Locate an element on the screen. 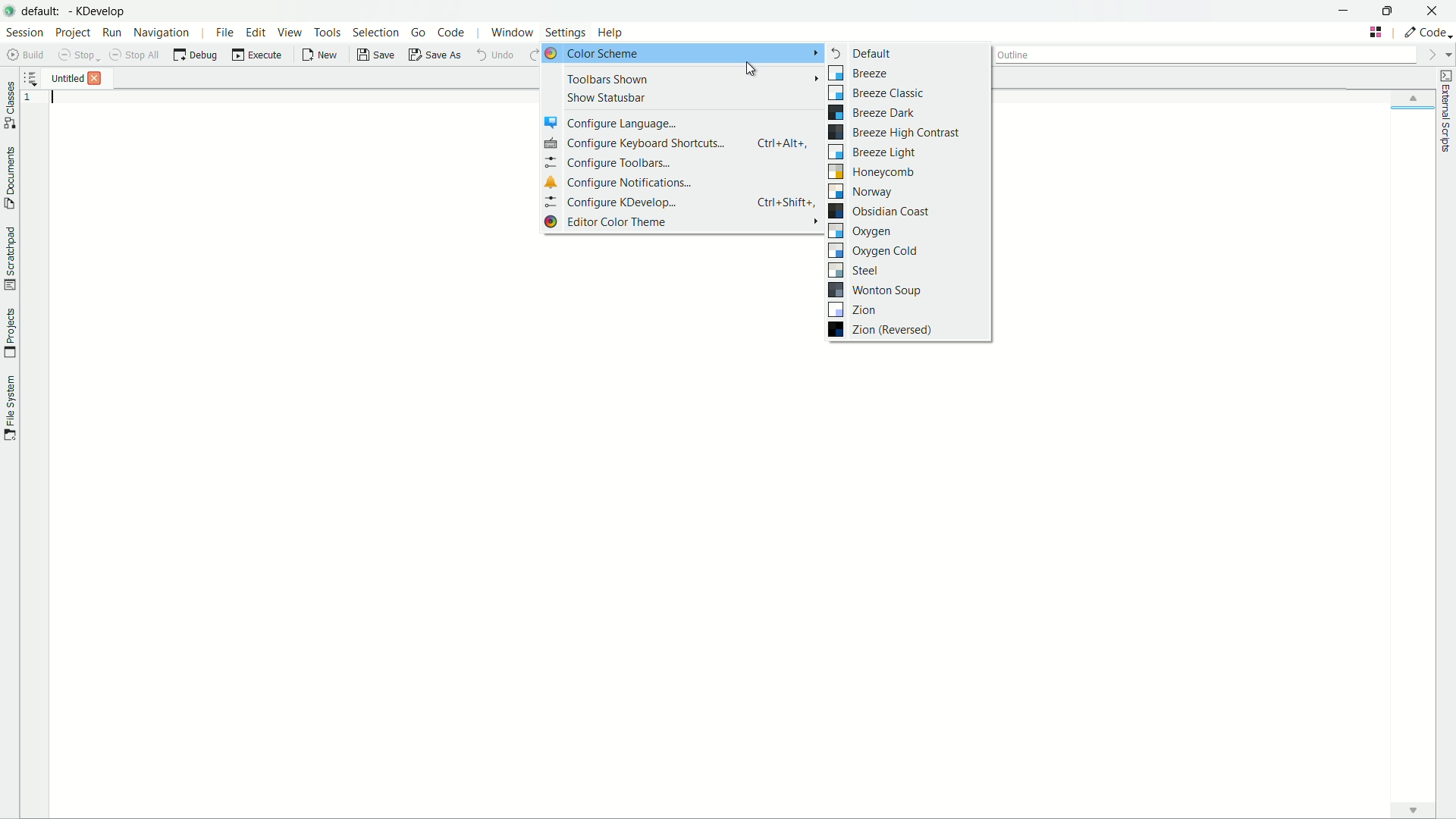  zion is located at coordinates (853, 309).